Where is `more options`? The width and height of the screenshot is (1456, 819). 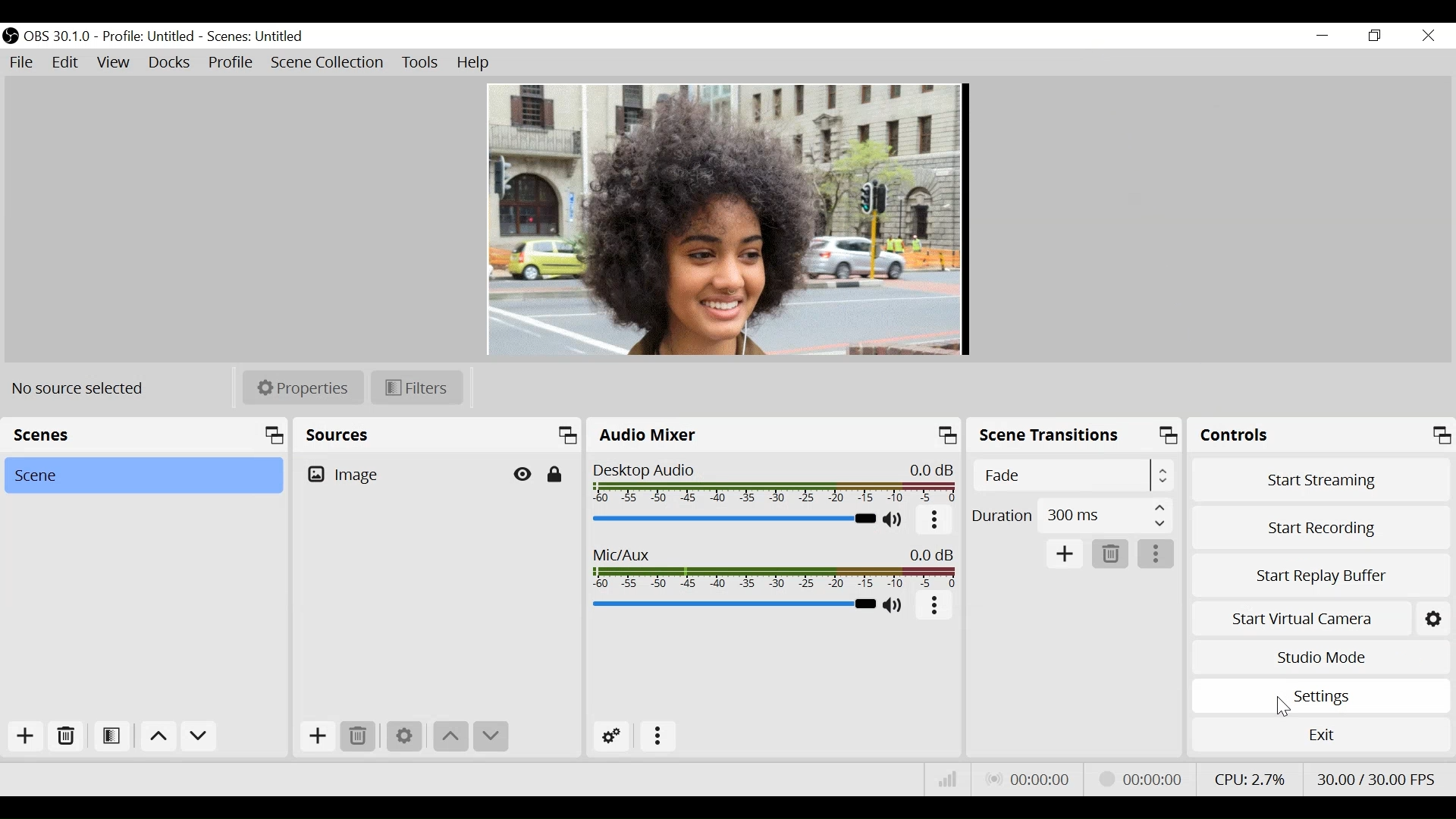 more options is located at coordinates (935, 522).